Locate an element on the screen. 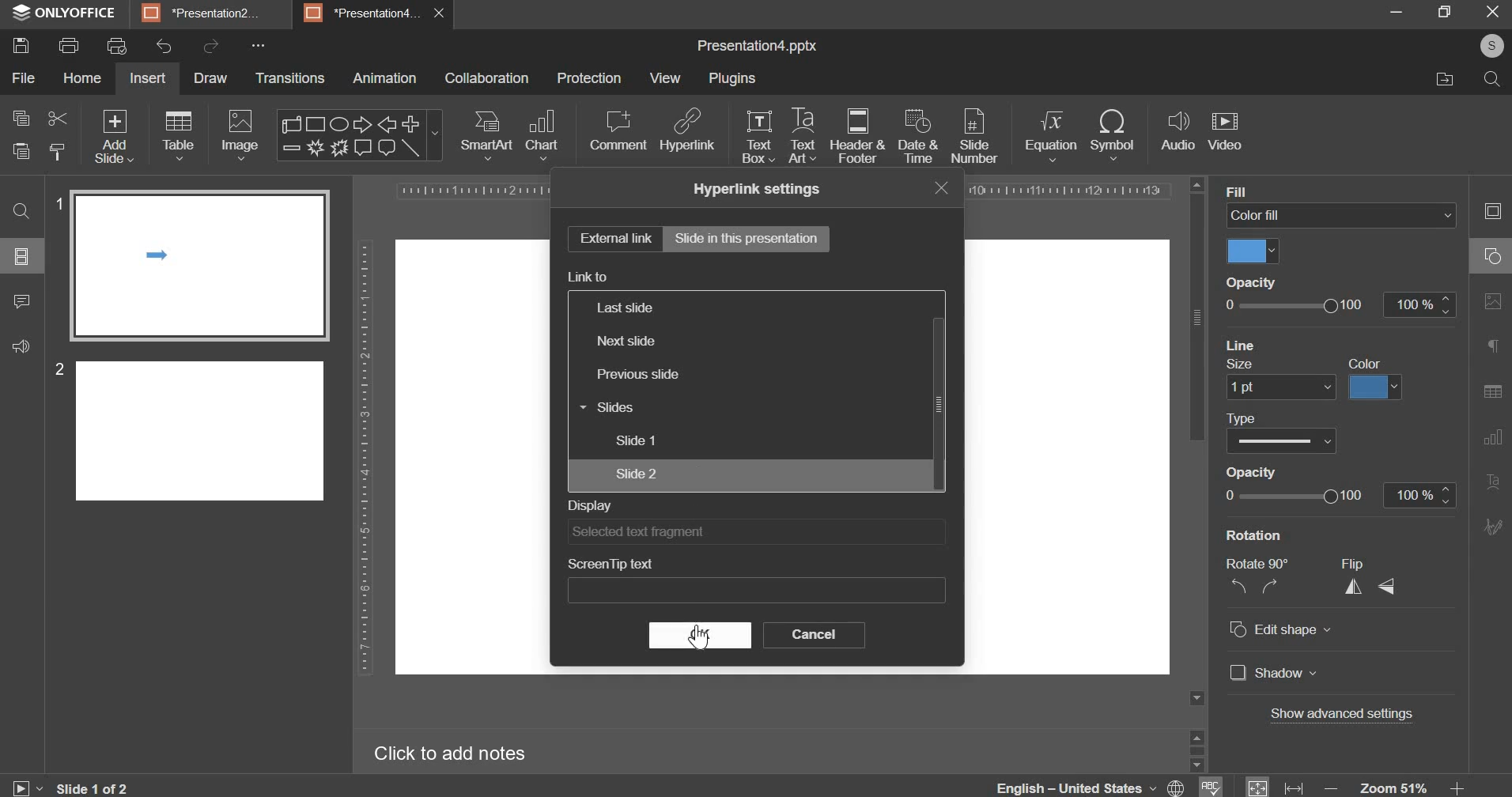 This screenshot has width=1512, height=797. slide in this presentation is located at coordinates (747, 237).